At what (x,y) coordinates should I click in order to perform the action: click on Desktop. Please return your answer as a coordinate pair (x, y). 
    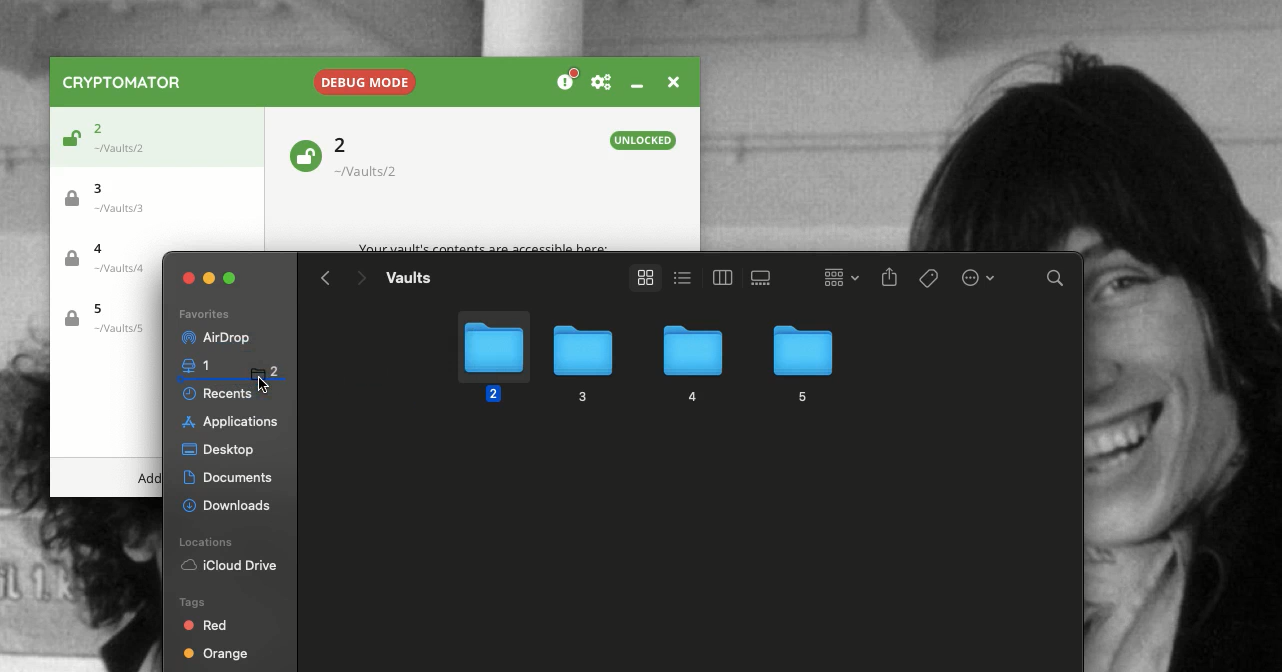
    Looking at the image, I should click on (218, 451).